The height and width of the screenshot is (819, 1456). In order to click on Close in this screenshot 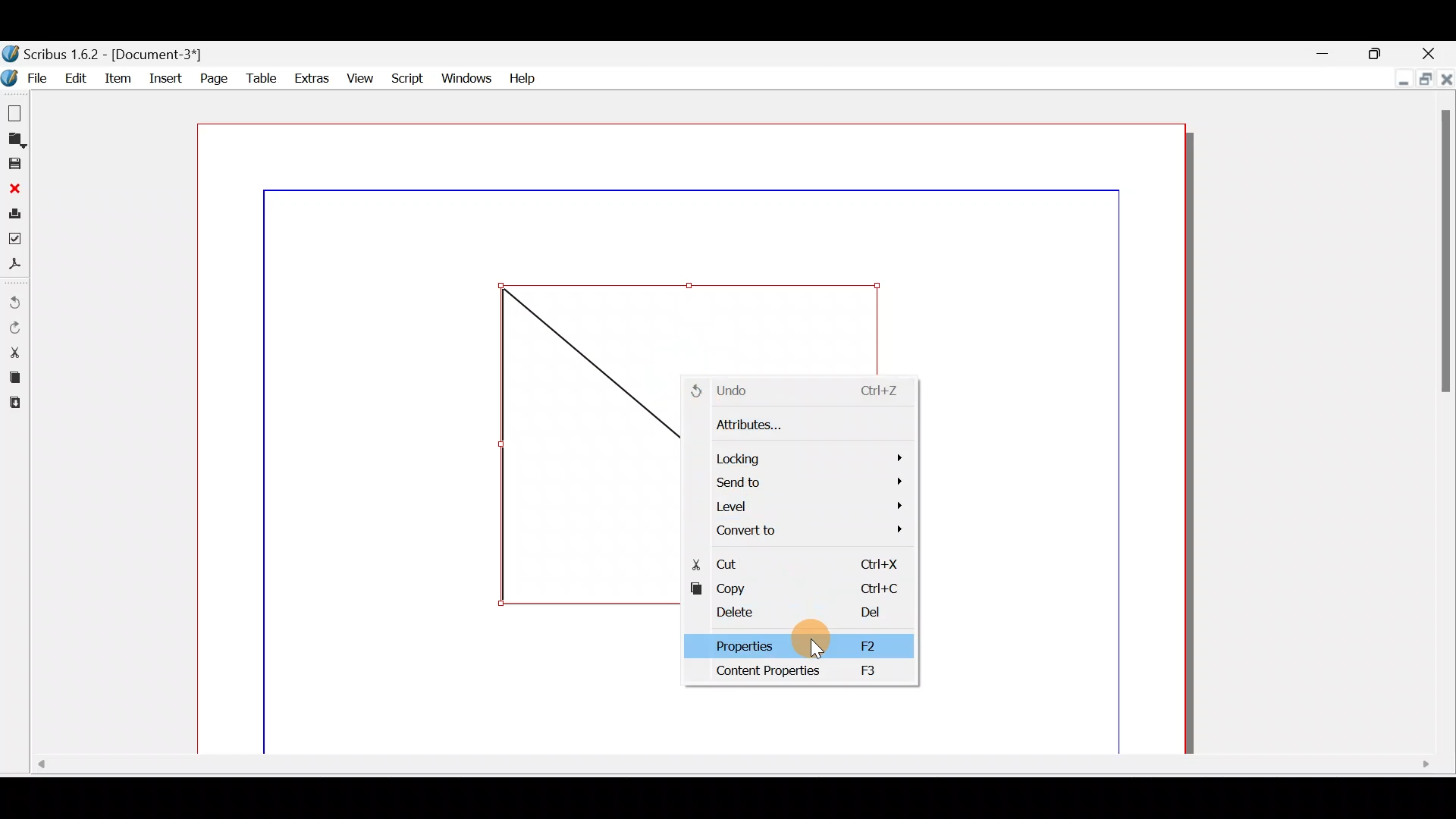, I will do `click(1436, 55)`.